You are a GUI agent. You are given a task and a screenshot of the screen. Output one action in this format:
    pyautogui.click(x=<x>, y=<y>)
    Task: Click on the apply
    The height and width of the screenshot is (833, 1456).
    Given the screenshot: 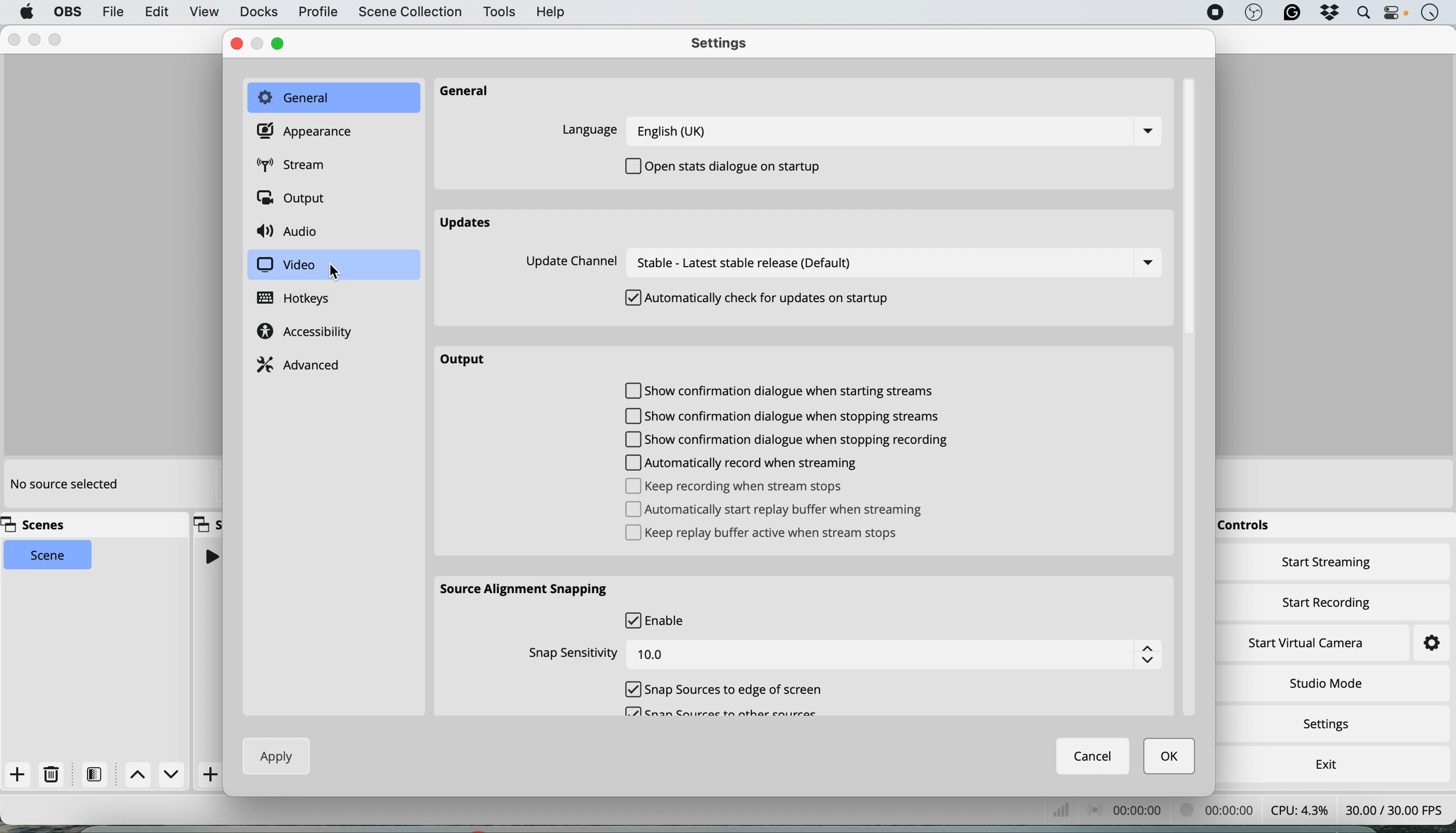 What is the action you would take?
    pyautogui.click(x=279, y=755)
    